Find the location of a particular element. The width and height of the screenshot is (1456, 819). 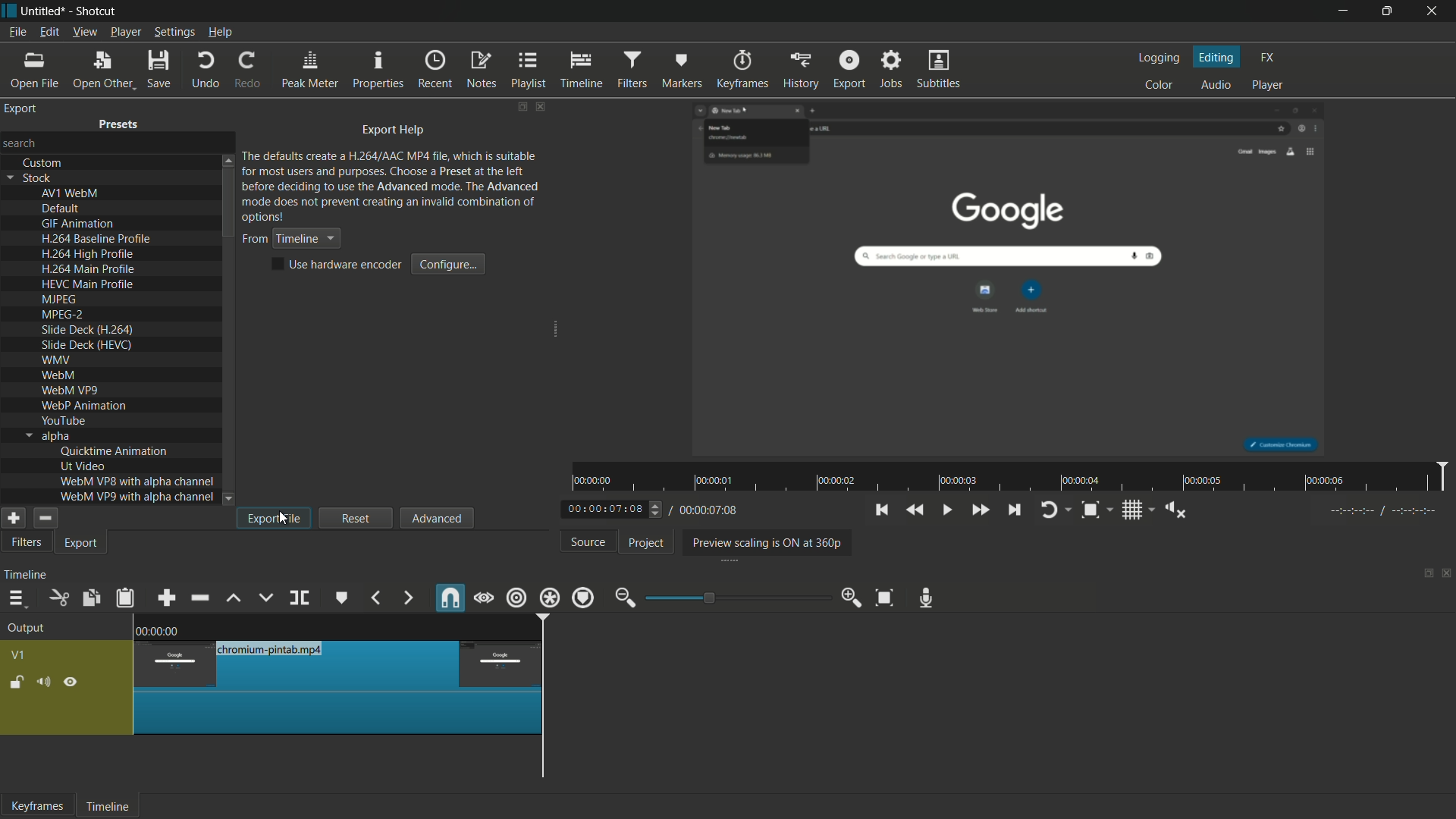

properties is located at coordinates (377, 70).